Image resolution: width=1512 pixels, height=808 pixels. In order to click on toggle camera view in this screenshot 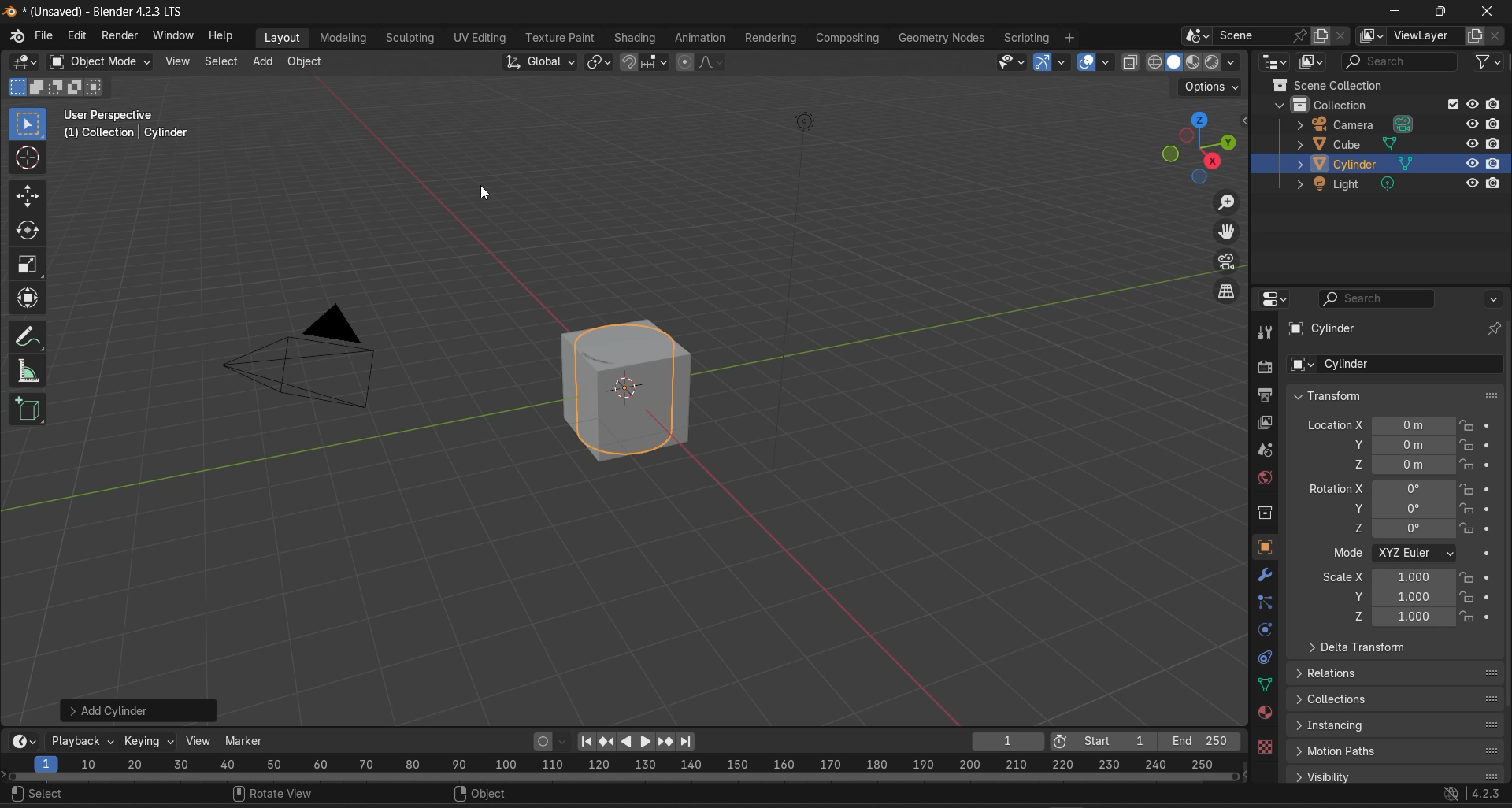, I will do `click(1230, 262)`.